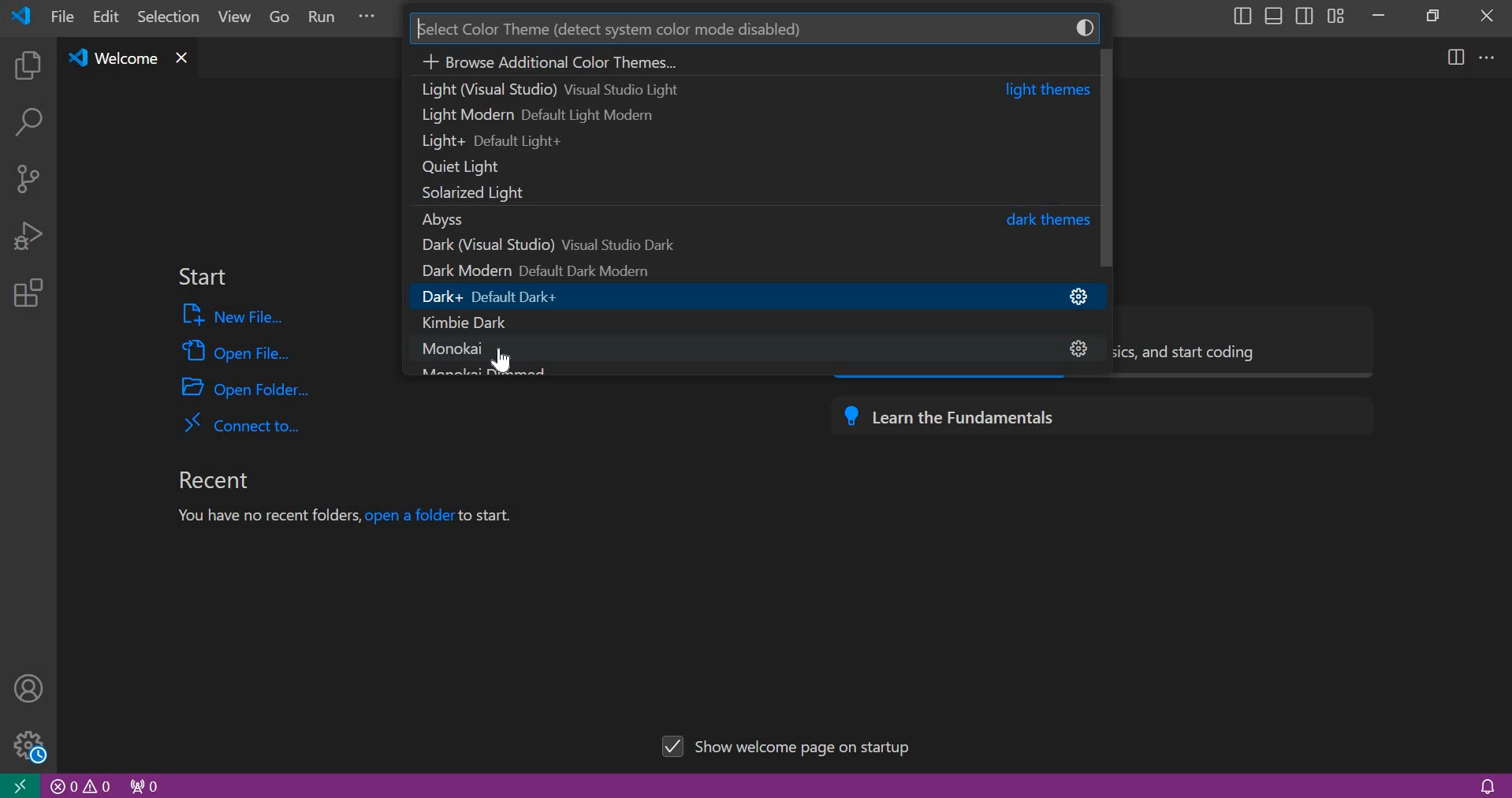 Image resolution: width=1512 pixels, height=798 pixels. What do you see at coordinates (212, 480) in the screenshot?
I see `recent` at bounding box center [212, 480].